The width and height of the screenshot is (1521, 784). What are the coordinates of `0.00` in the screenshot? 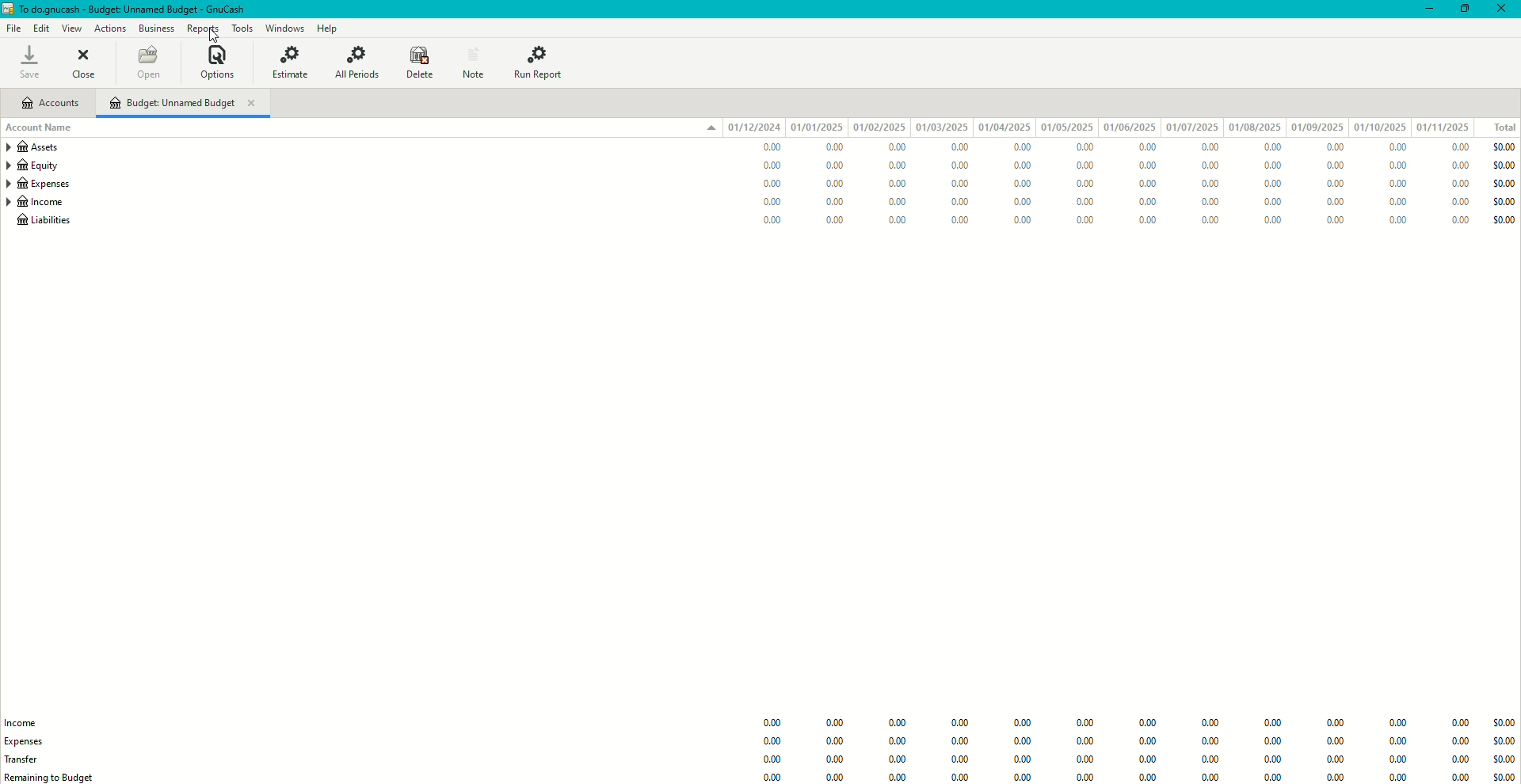 It's located at (1086, 201).